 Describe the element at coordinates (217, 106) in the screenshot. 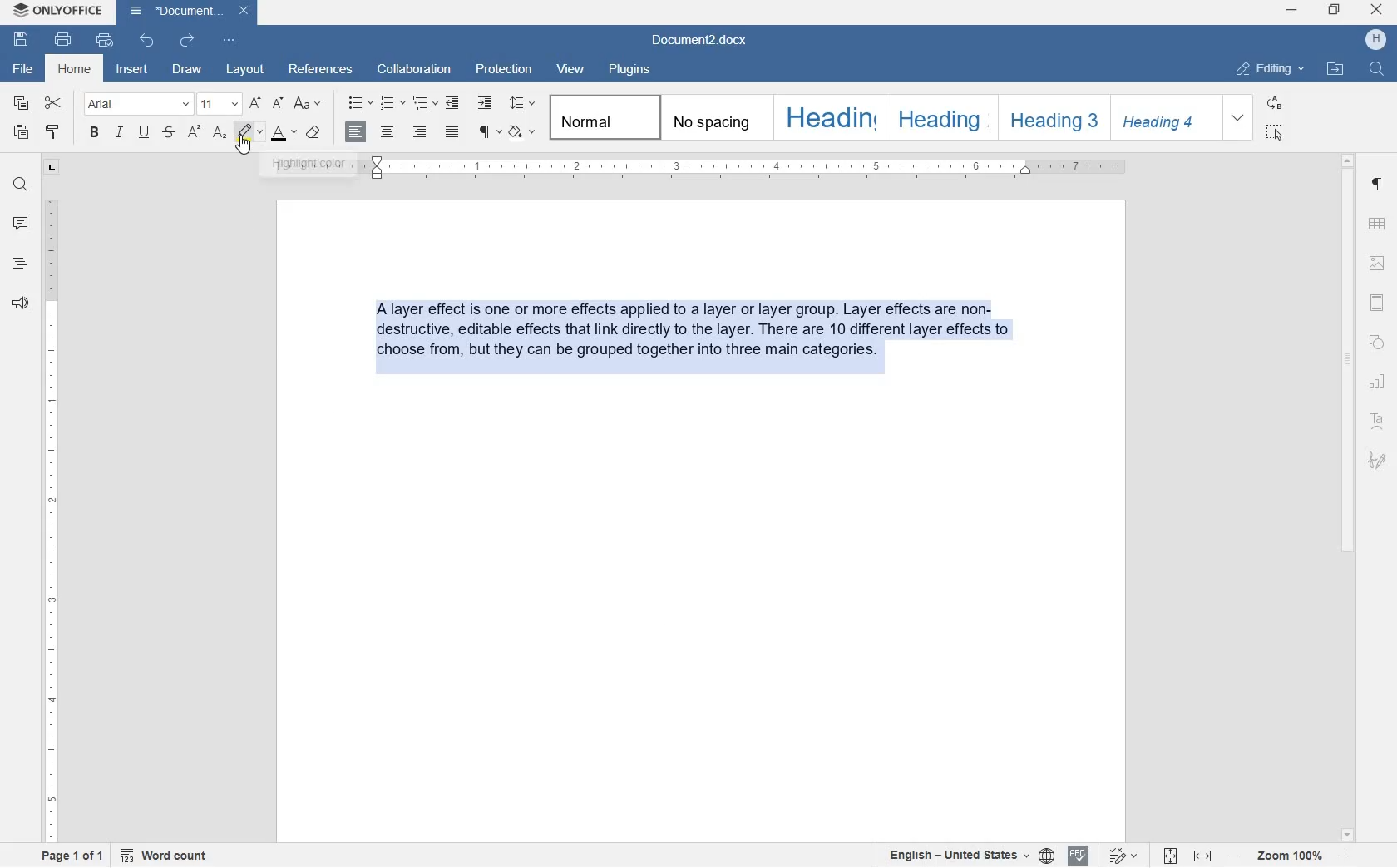

I see `FONT SIZE` at that location.